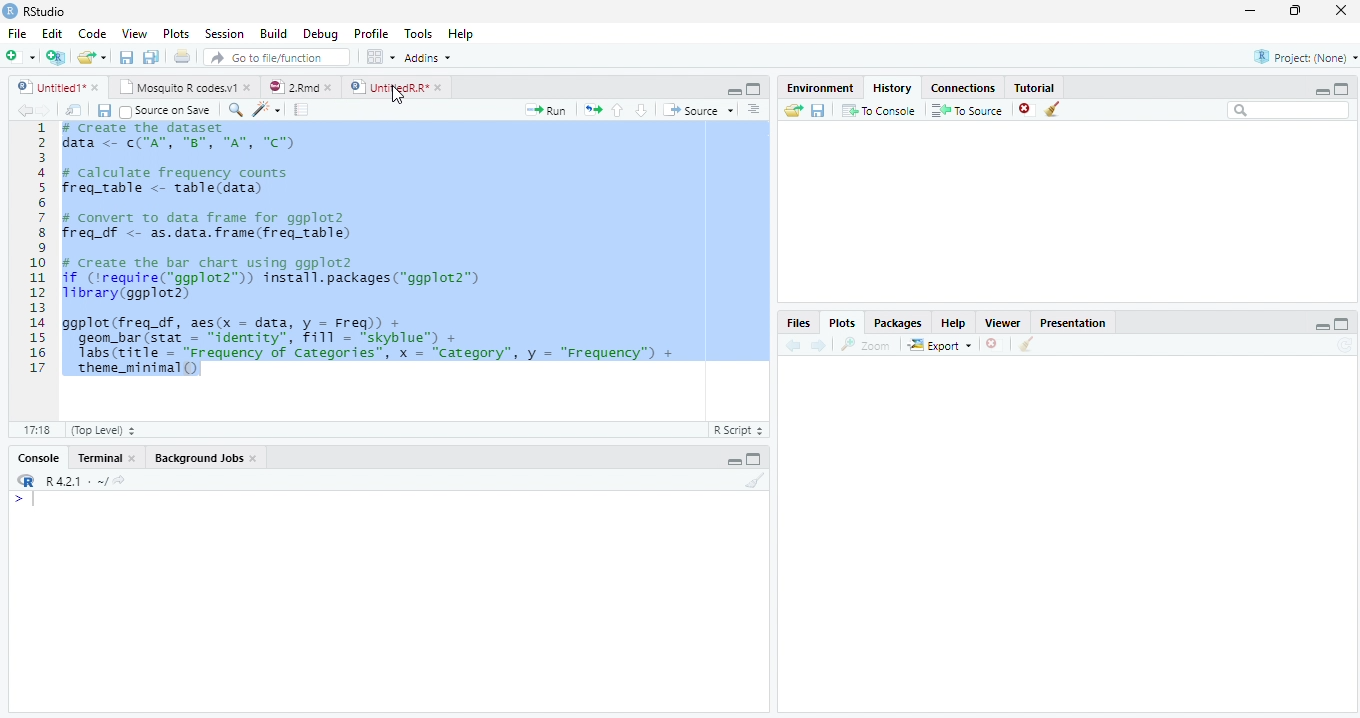 The image size is (1360, 718). Describe the element at coordinates (224, 35) in the screenshot. I see `Session` at that location.